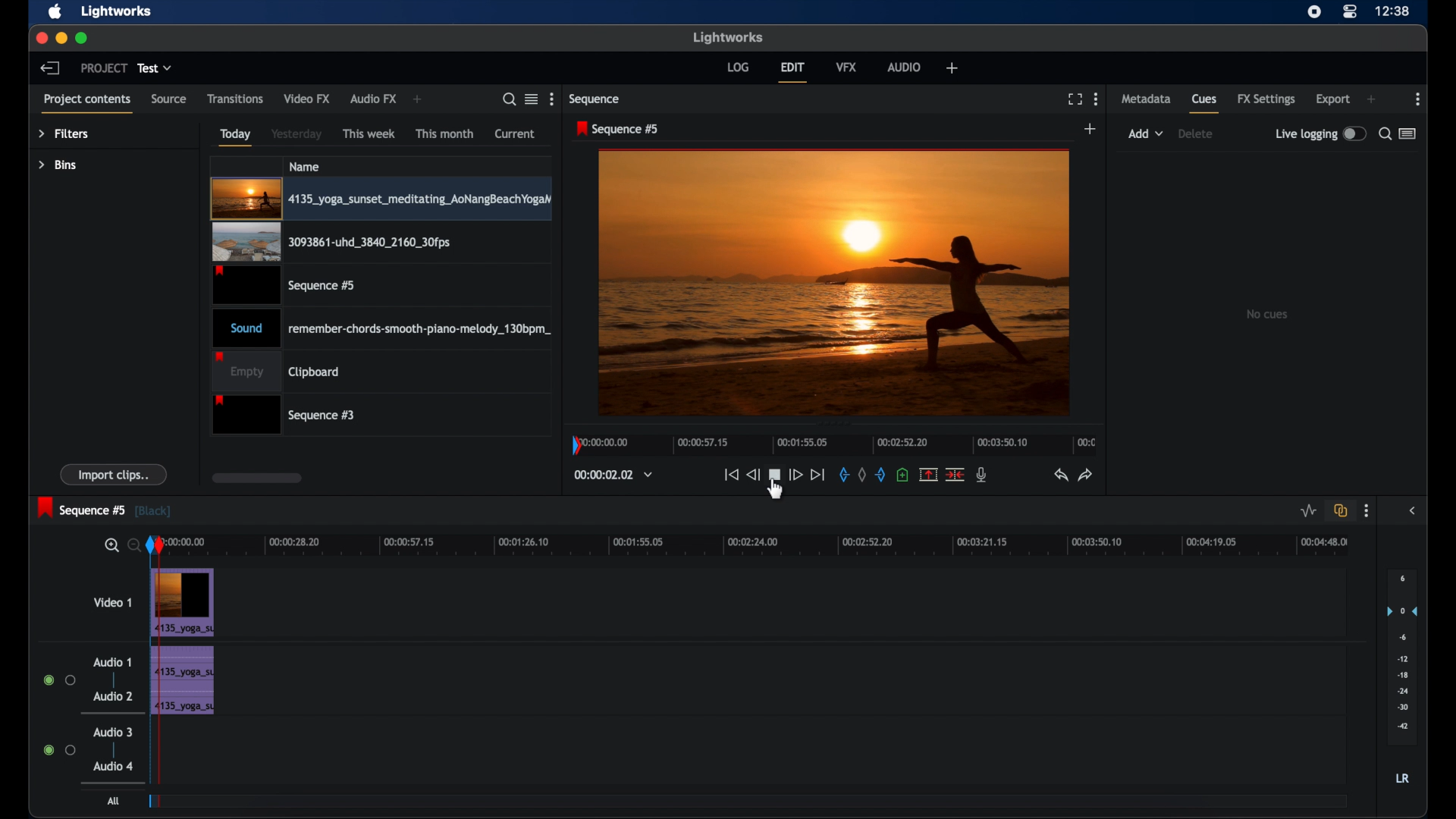 This screenshot has height=819, width=1456. Describe the element at coordinates (792, 71) in the screenshot. I see `edit` at that location.